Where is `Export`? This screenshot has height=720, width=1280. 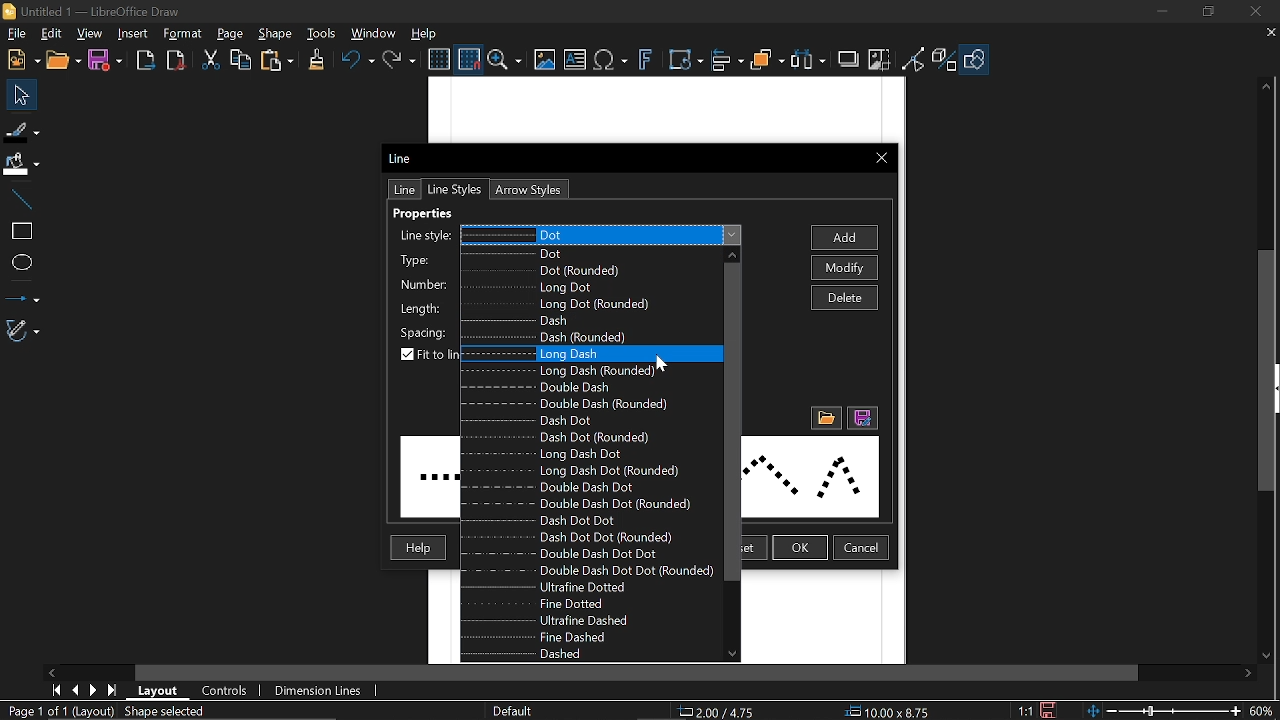
Export is located at coordinates (146, 62).